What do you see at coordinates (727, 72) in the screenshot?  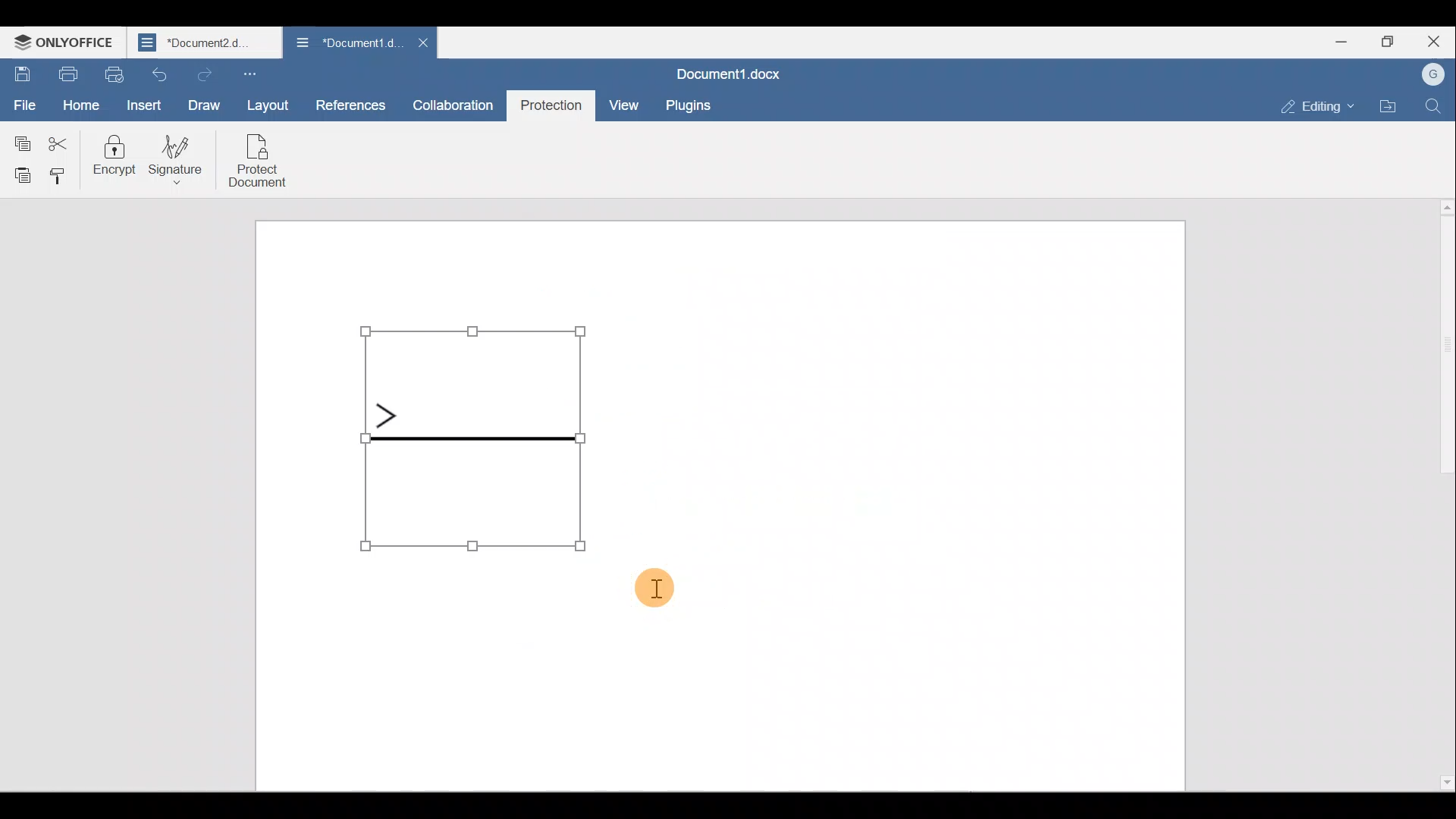 I see `Document name` at bounding box center [727, 72].